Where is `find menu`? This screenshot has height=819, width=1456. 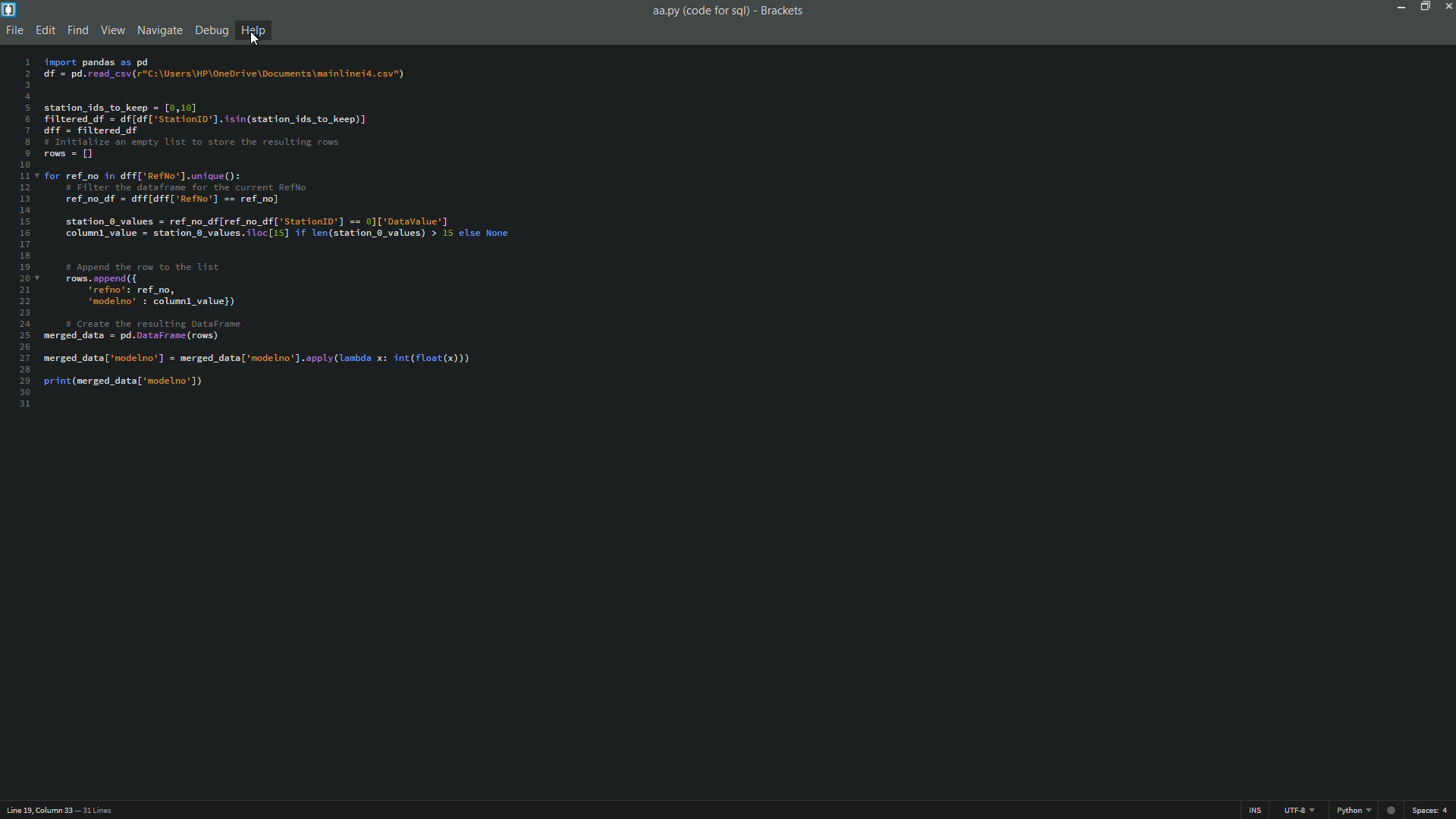 find menu is located at coordinates (79, 30).